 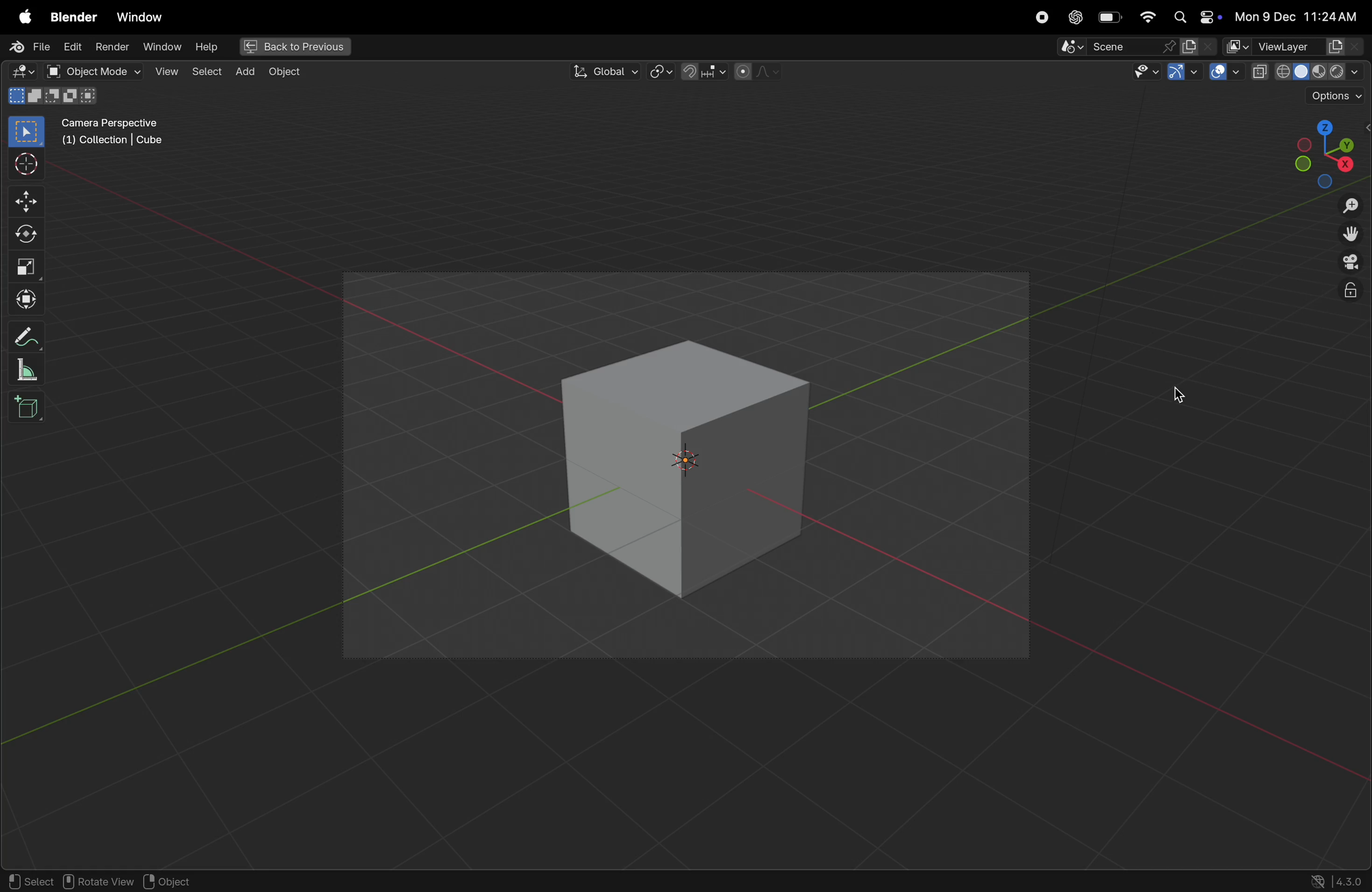 What do you see at coordinates (242, 73) in the screenshot?
I see `add` at bounding box center [242, 73].